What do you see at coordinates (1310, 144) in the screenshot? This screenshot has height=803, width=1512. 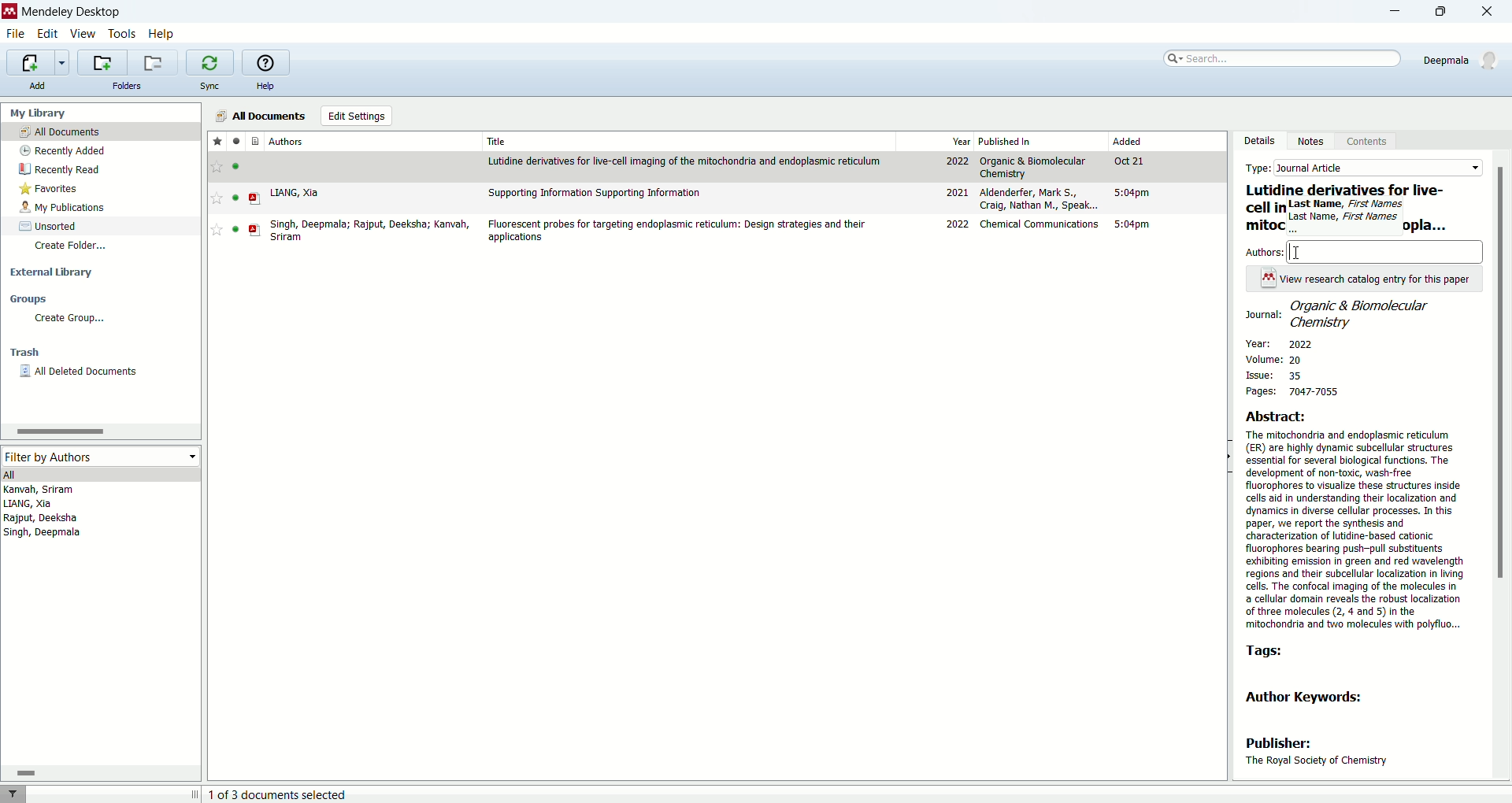 I see `notes` at bounding box center [1310, 144].